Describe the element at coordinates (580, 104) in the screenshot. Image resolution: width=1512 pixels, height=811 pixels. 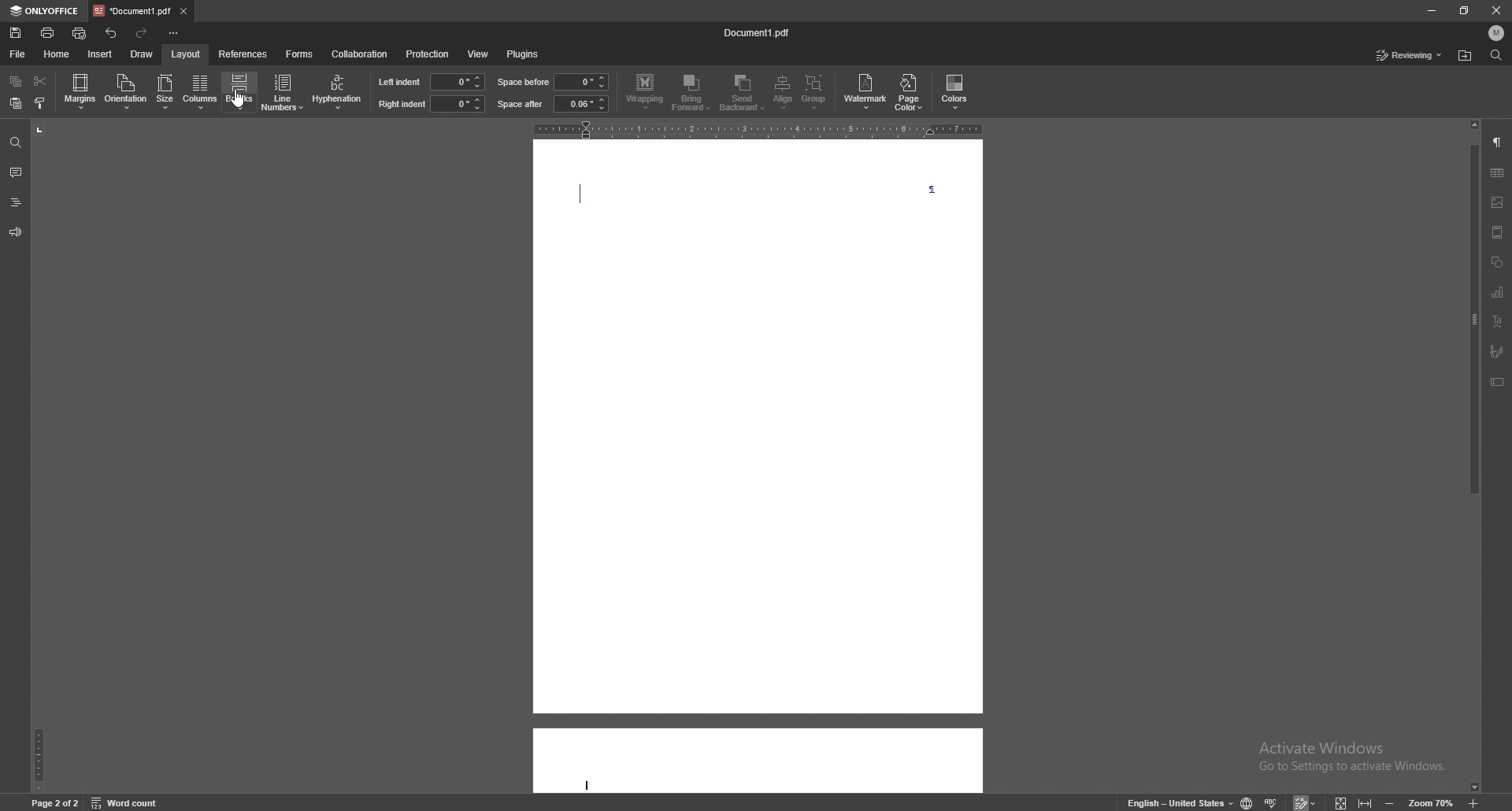
I see `Enter space after` at that location.